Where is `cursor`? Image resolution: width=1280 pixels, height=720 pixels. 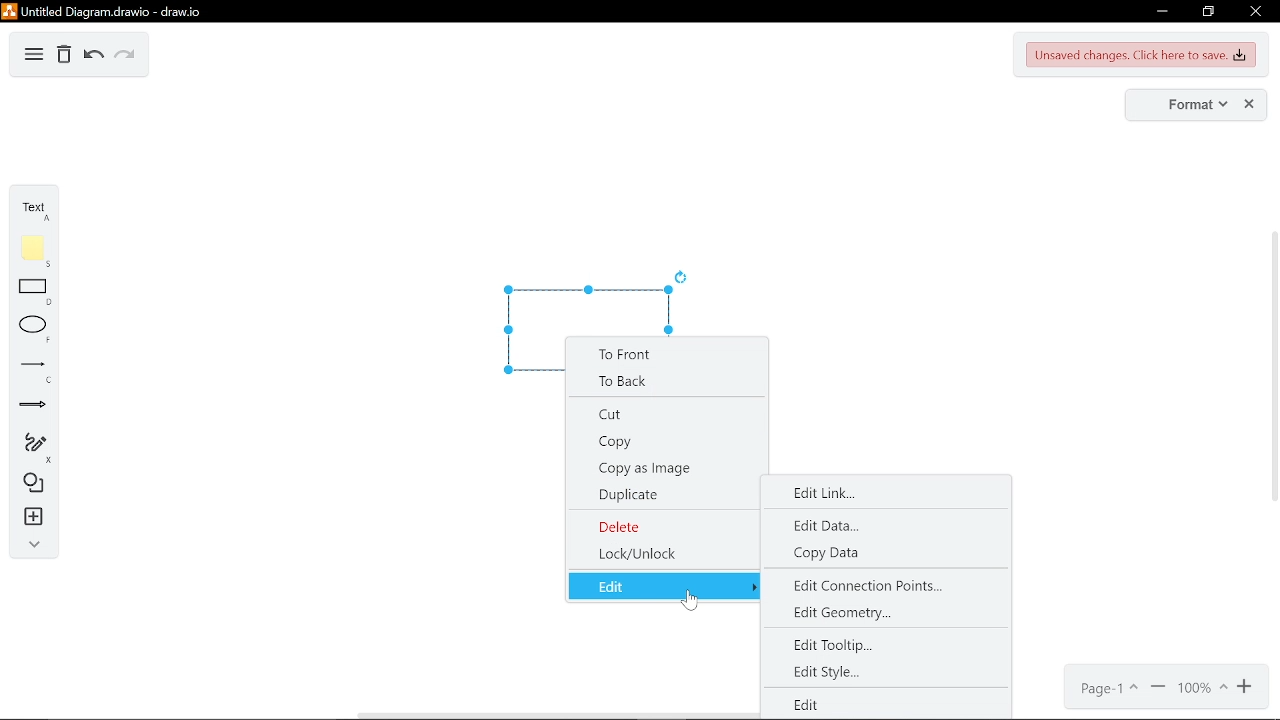
cursor is located at coordinates (689, 605).